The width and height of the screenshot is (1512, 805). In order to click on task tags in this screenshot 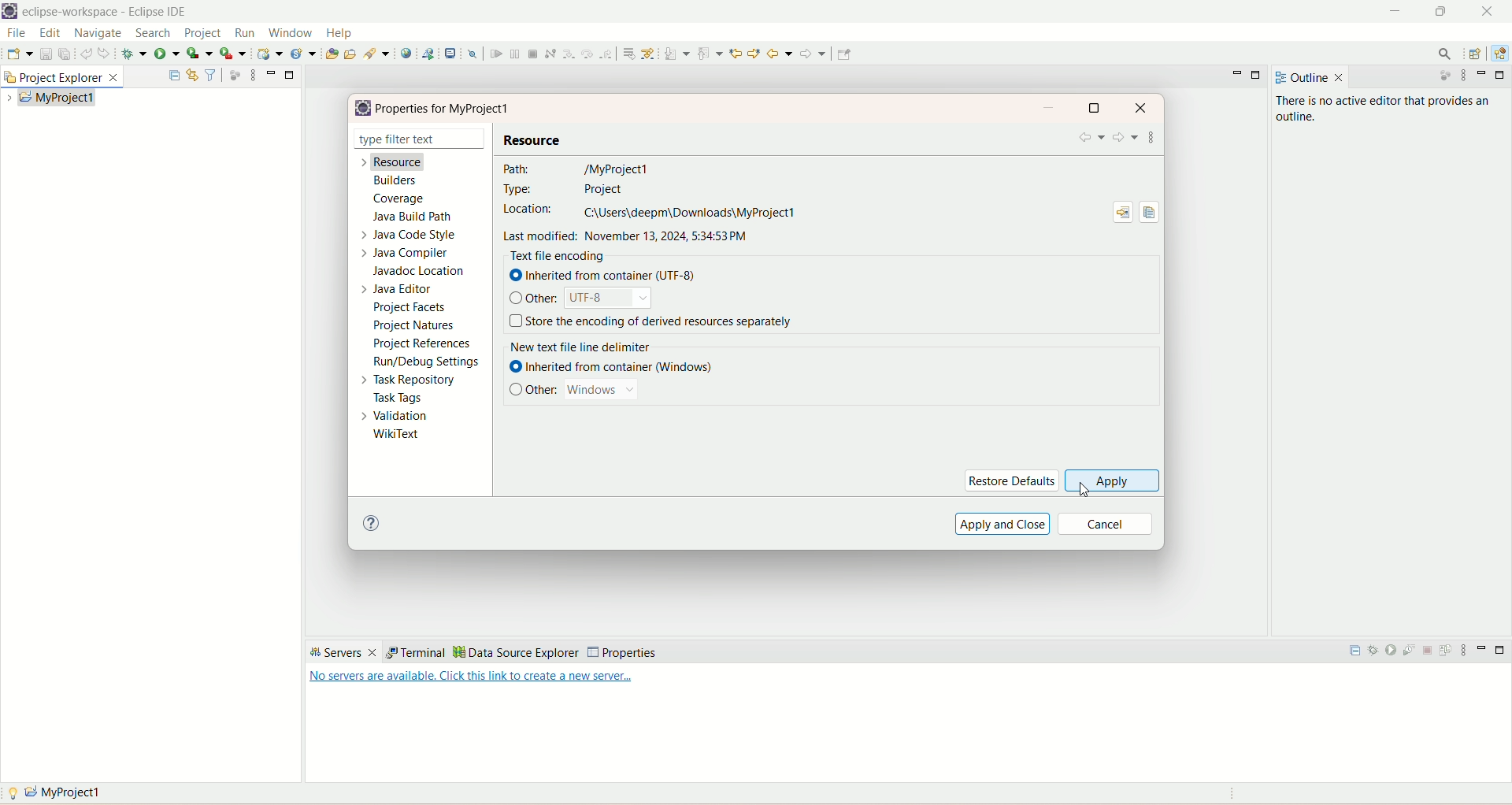, I will do `click(401, 399)`.